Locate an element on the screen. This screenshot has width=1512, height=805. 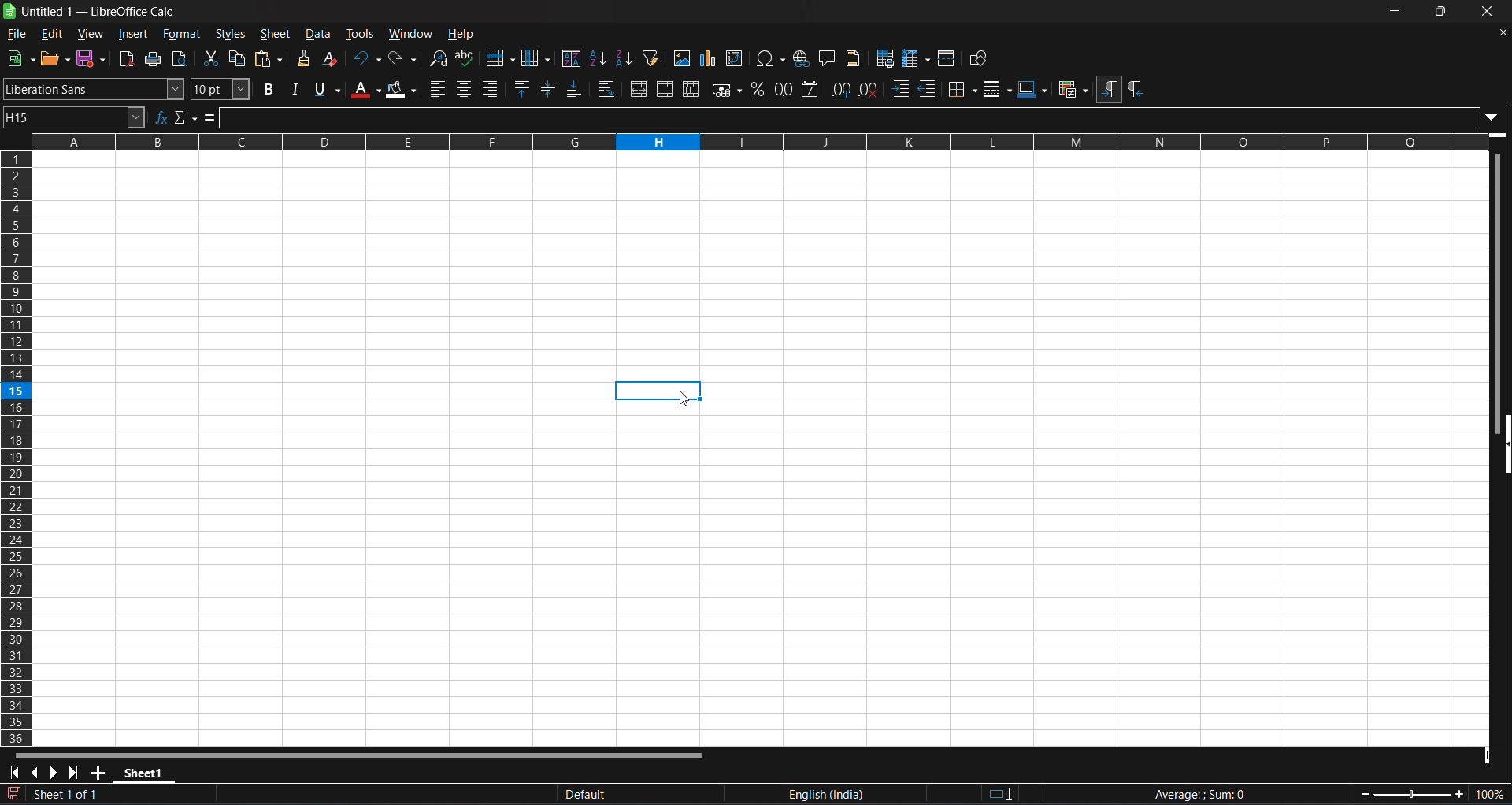
hide is located at coordinates (1503, 445).